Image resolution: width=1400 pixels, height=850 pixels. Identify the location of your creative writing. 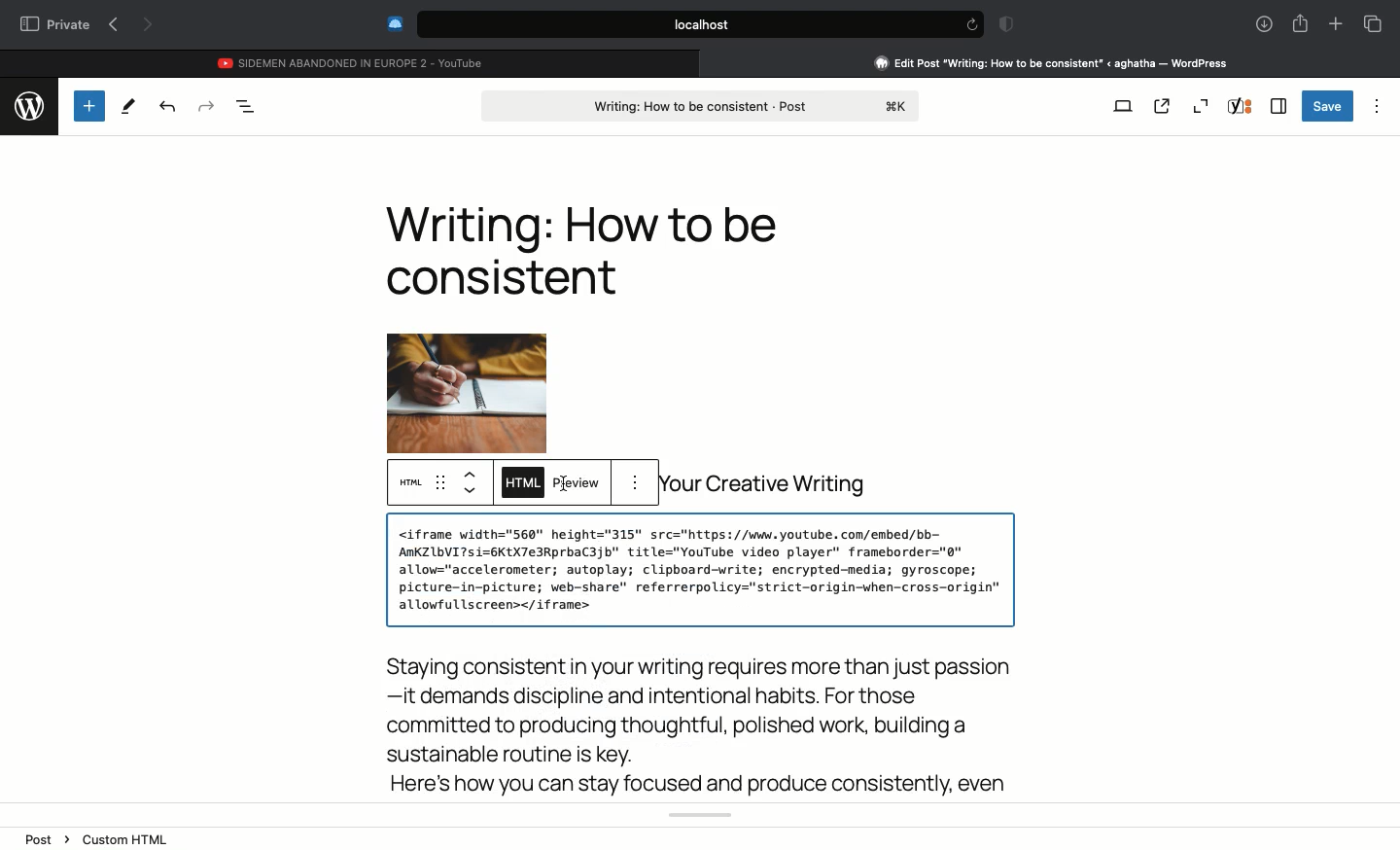
(773, 484).